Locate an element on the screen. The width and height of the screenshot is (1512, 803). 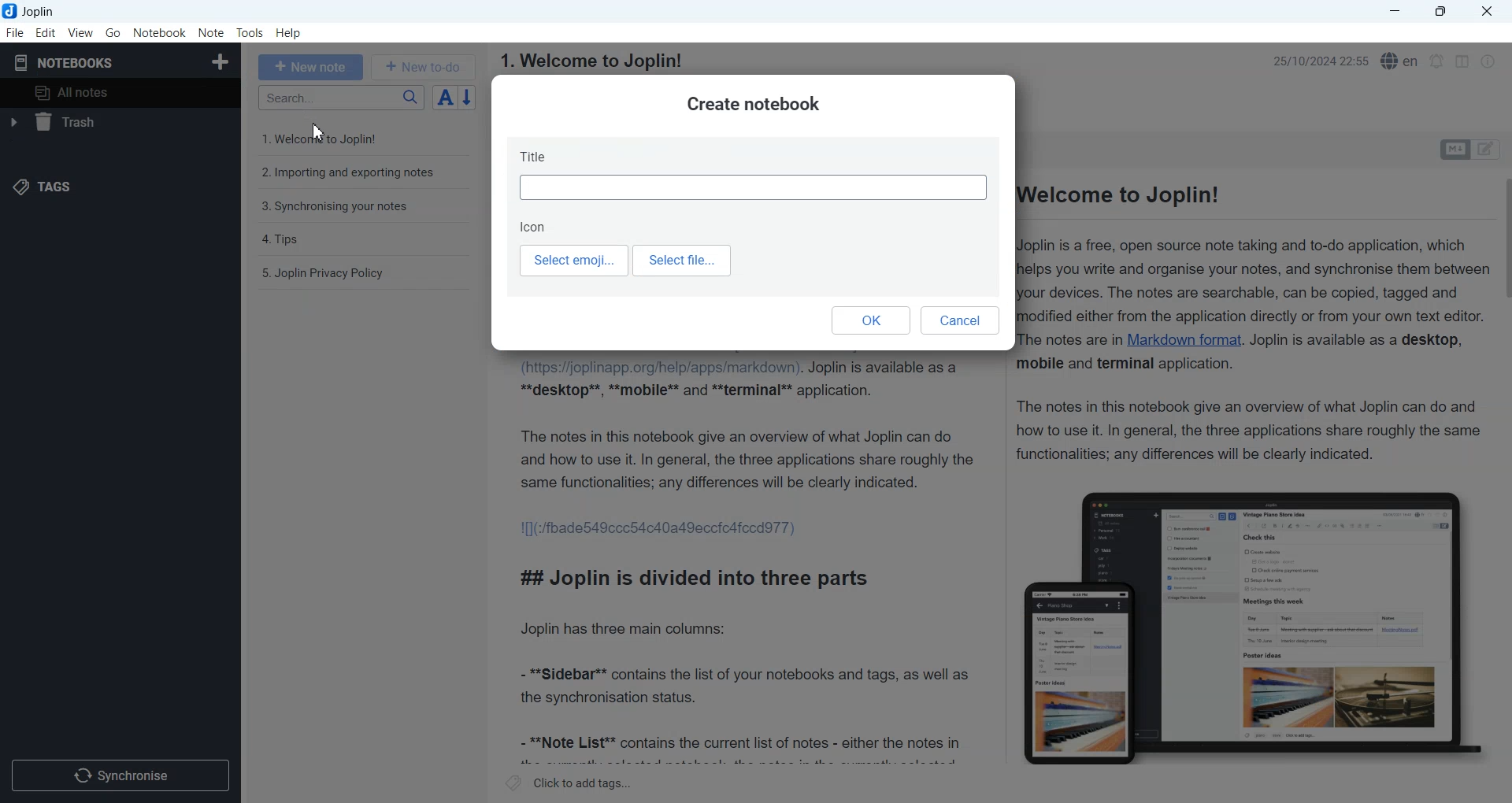
Tools is located at coordinates (250, 33).